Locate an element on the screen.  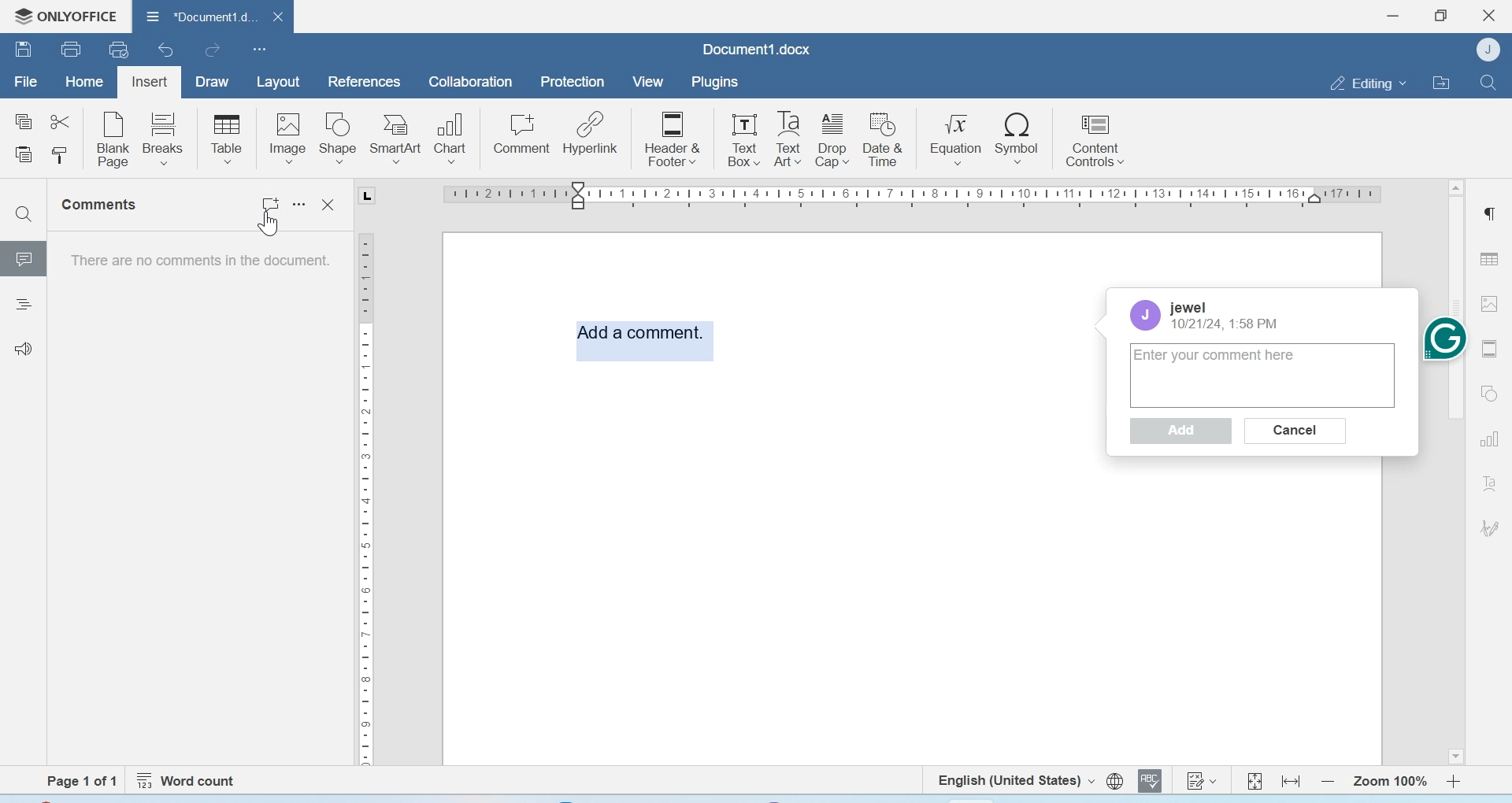
cursor is located at coordinates (267, 224).